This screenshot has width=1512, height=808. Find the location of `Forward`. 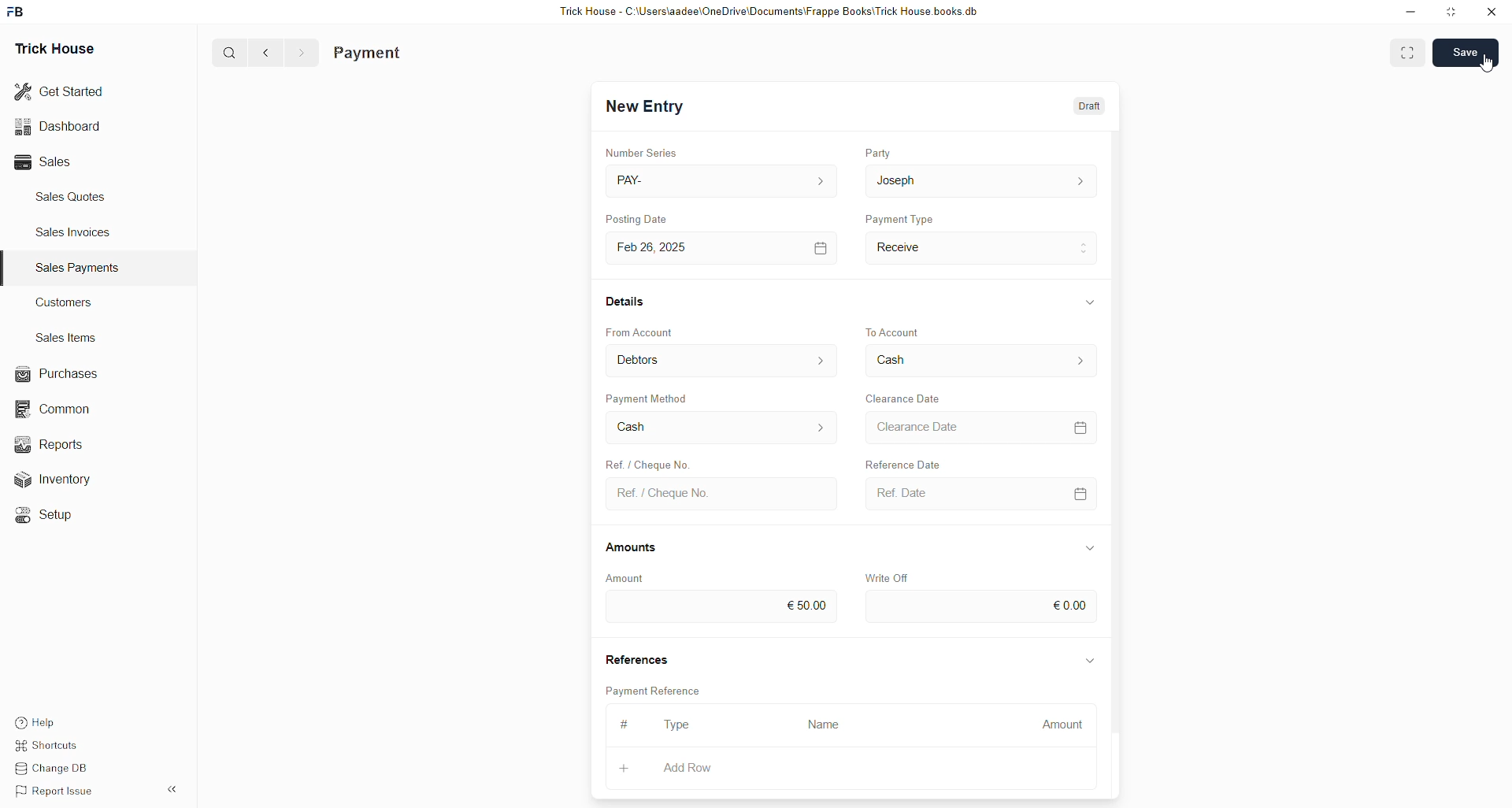

Forward is located at coordinates (302, 54).